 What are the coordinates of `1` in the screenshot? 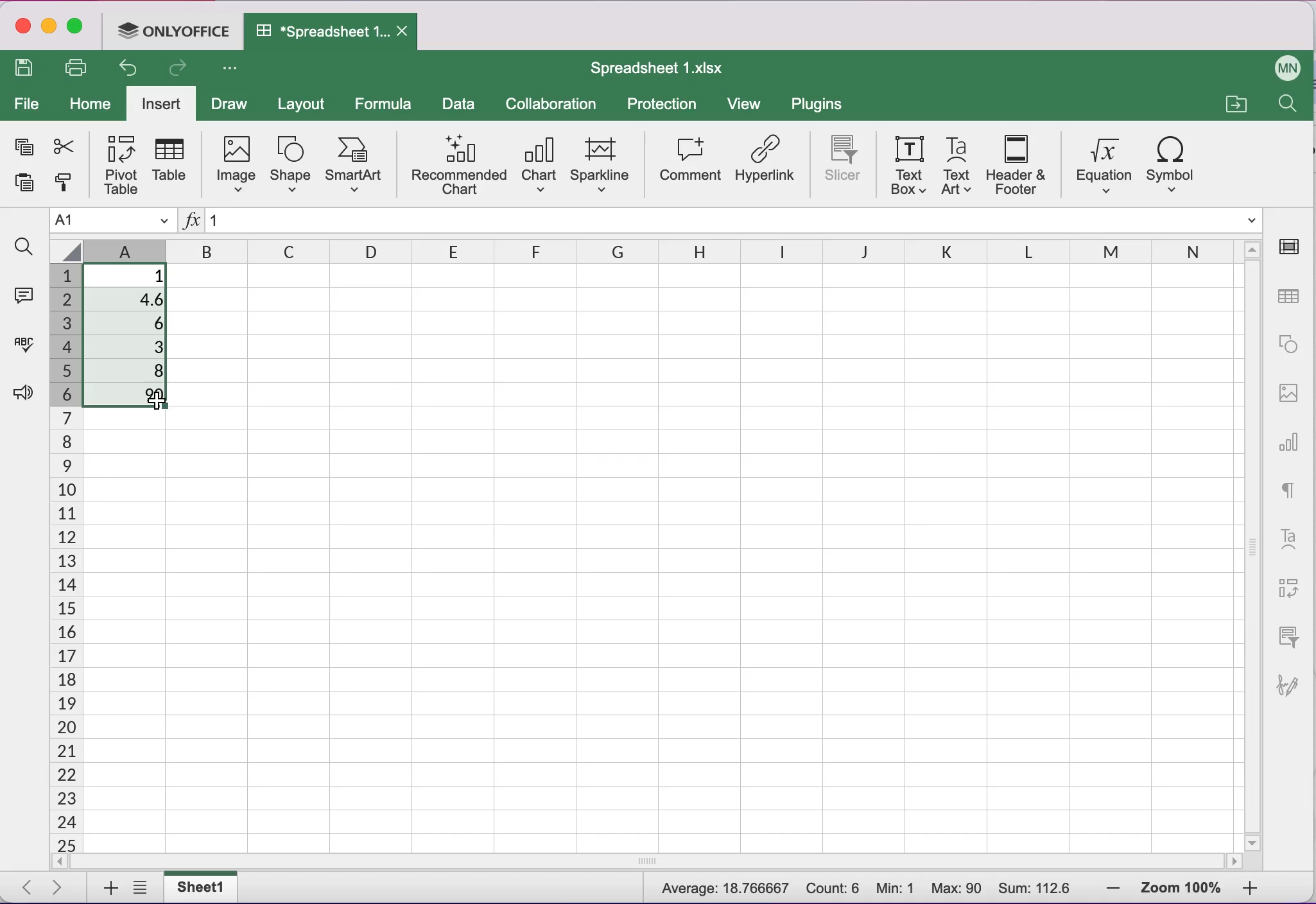 It's located at (126, 275).